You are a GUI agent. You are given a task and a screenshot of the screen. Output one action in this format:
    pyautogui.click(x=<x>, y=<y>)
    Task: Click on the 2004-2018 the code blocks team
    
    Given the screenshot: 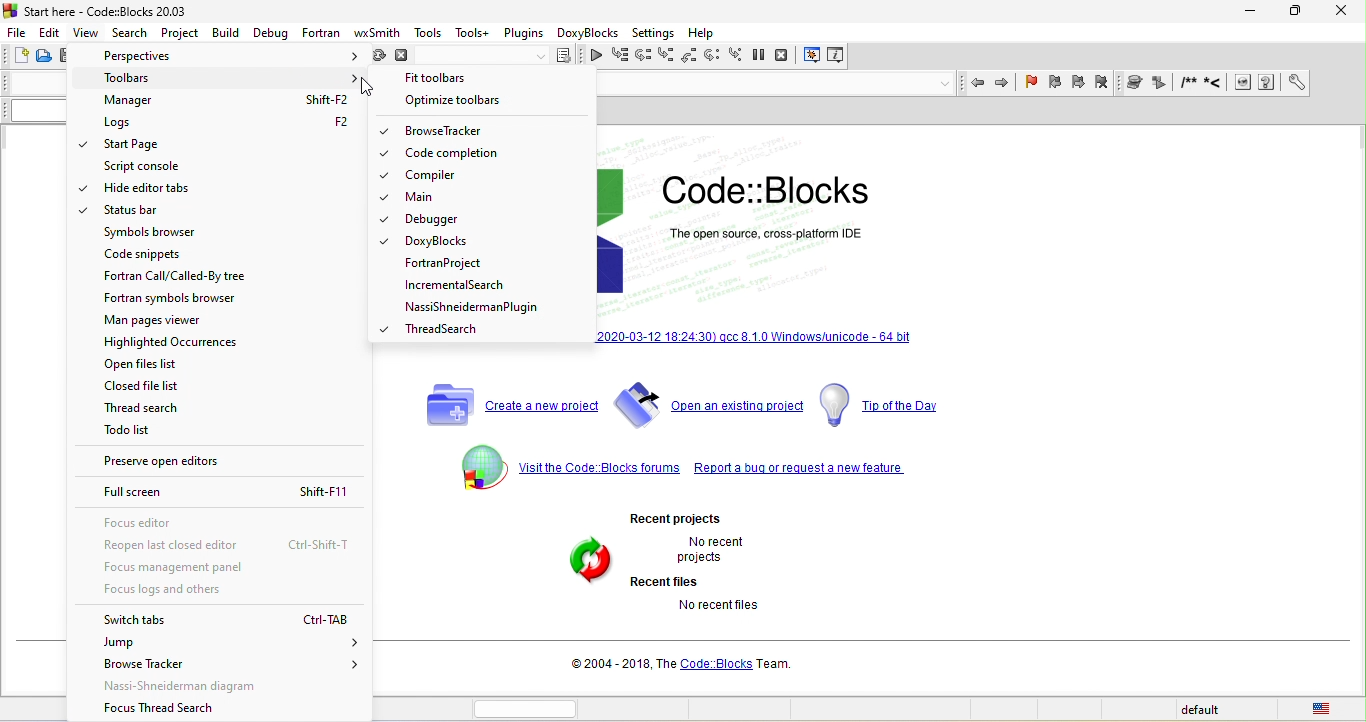 What is the action you would take?
    pyautogui.click(x=677, y=667)
    